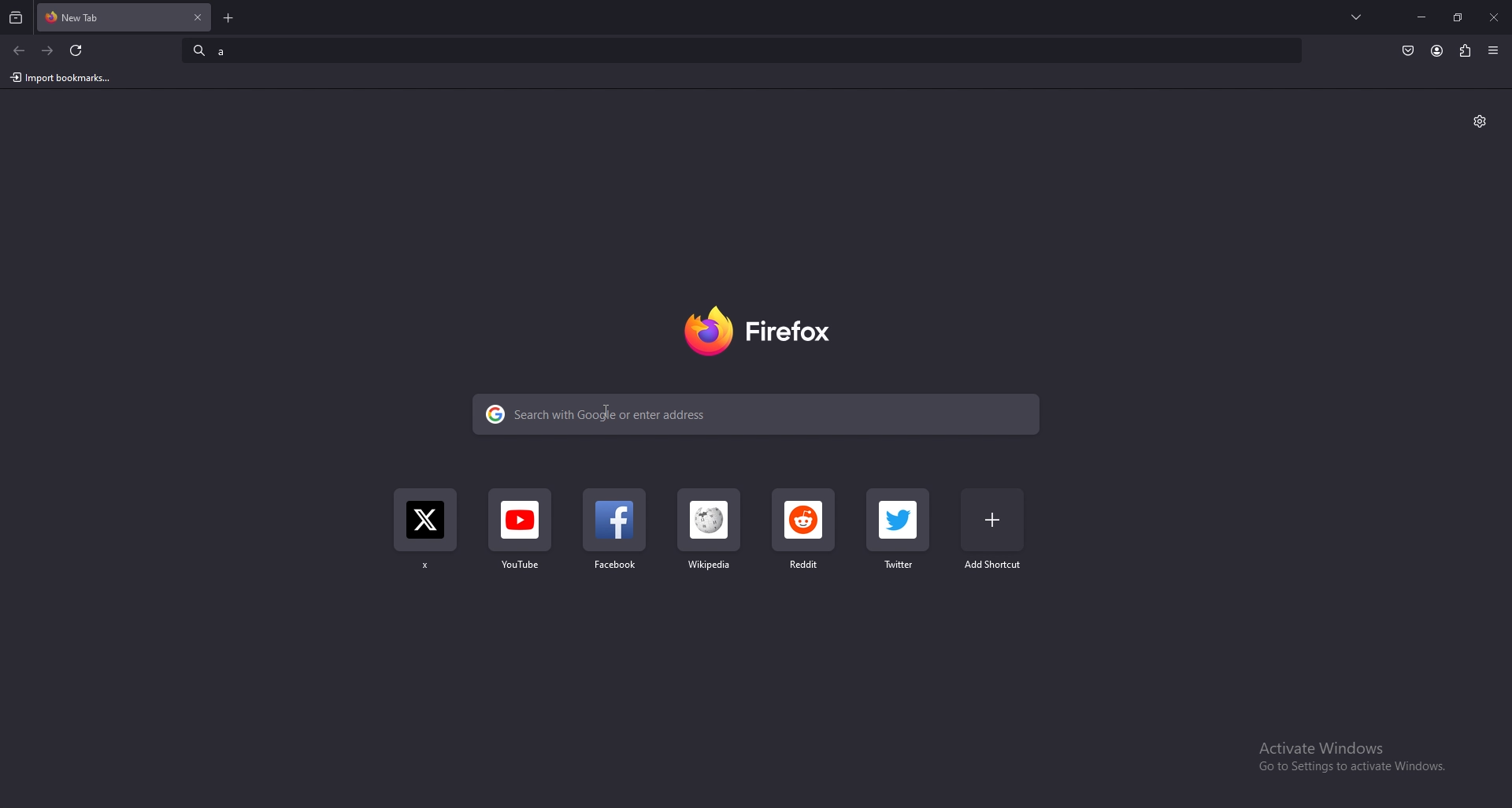  I want to click on refresh, so click(76, 50).